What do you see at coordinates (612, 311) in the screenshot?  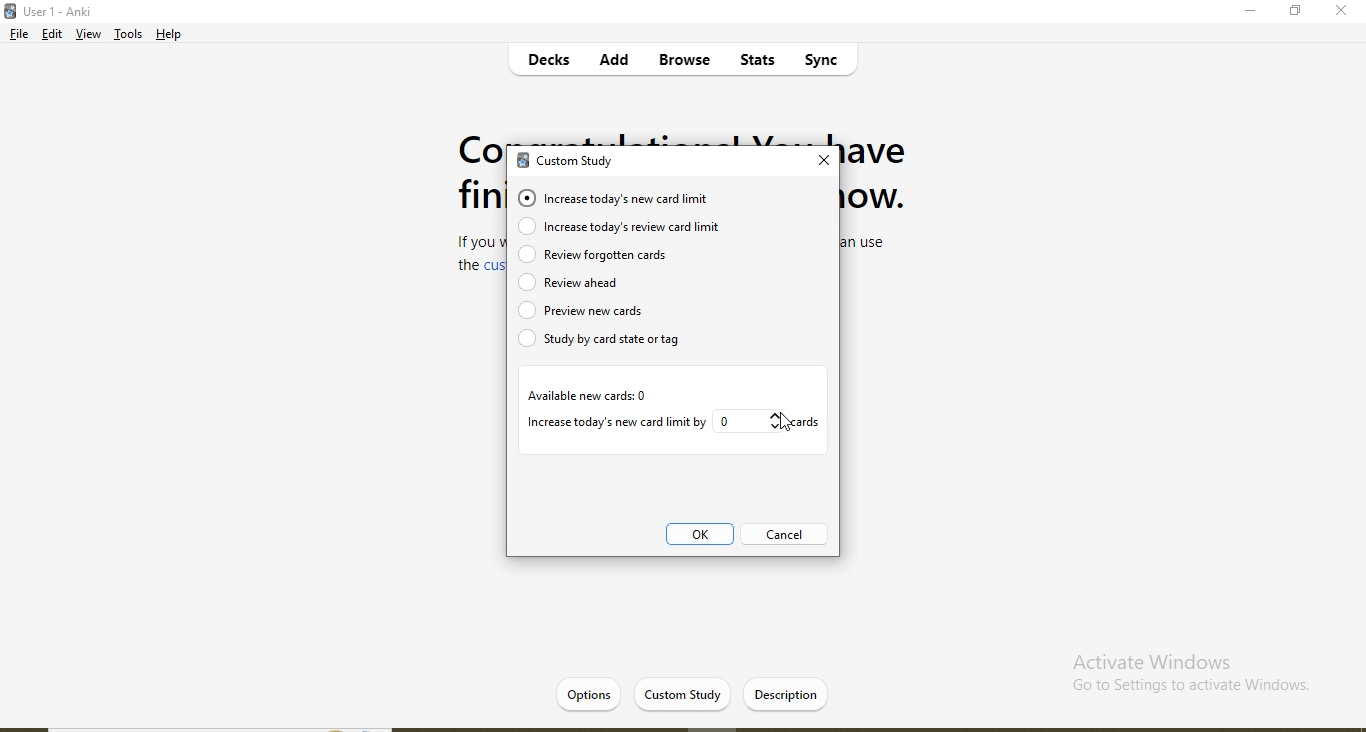 I see `preview new cards` at bounding box center [612, 311].